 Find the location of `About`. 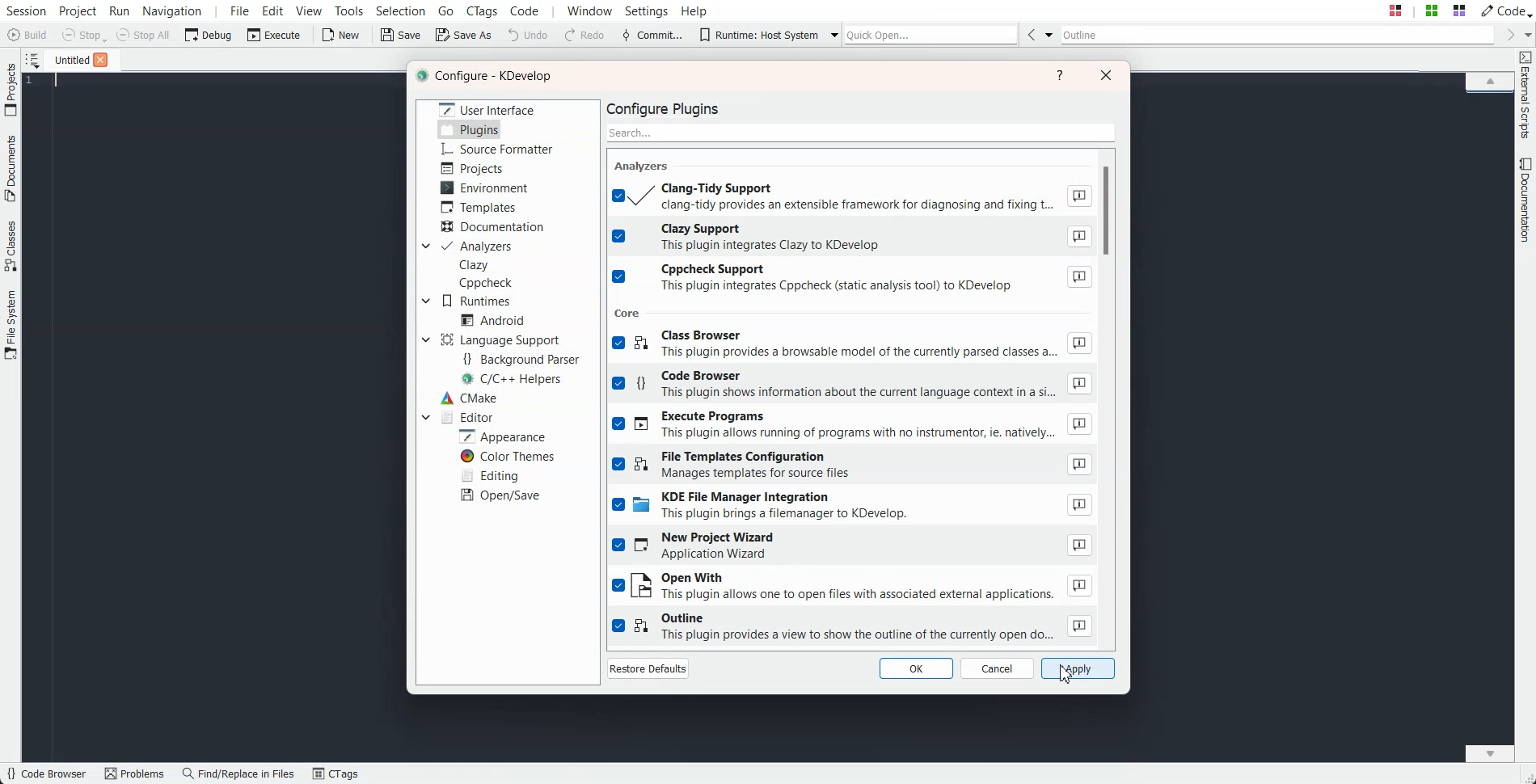

About is located at coordinates (1079, 384).